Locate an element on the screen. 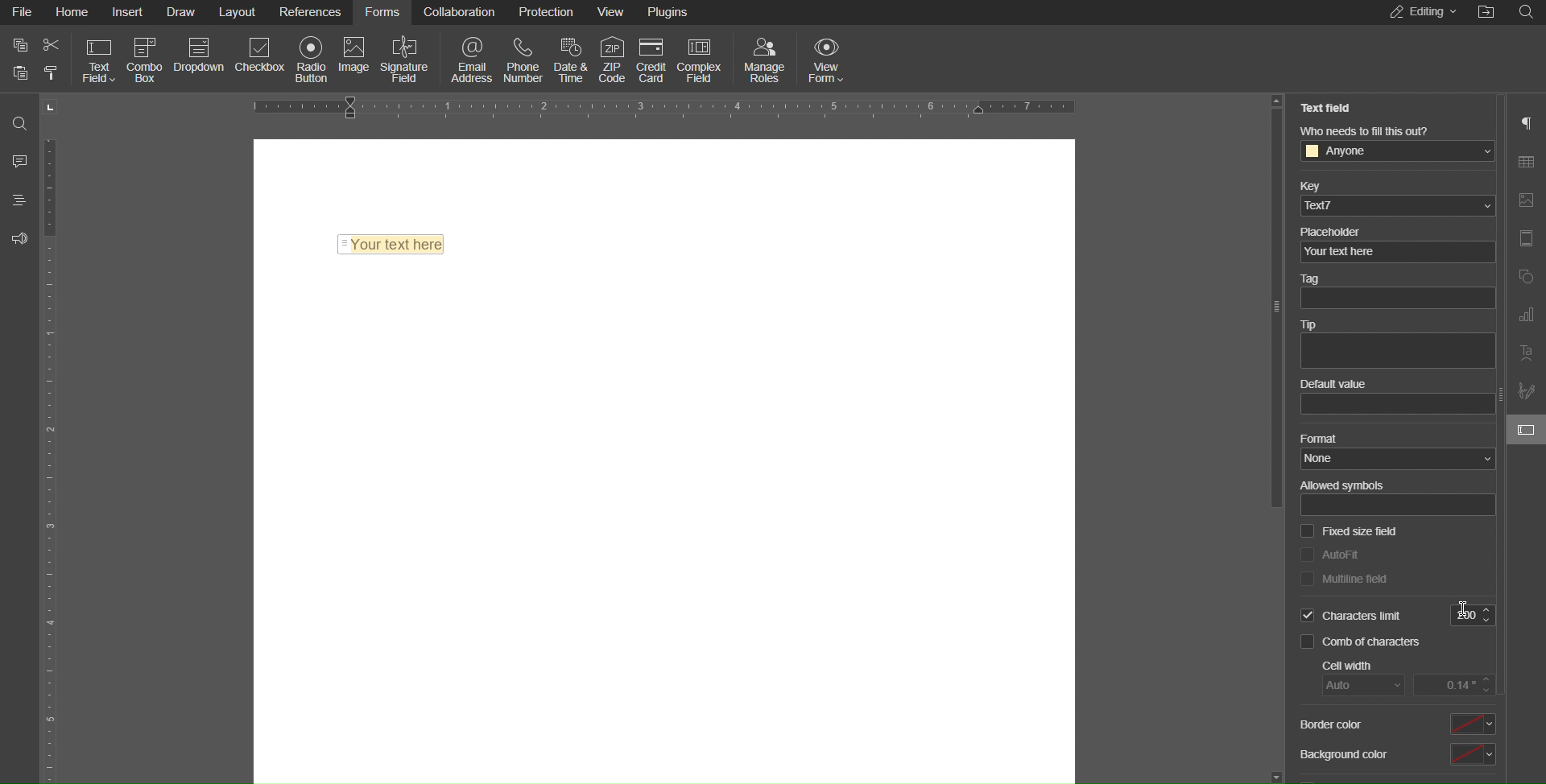 The image size is (1546, 784). Text Field is located at coordinates (391, 241).